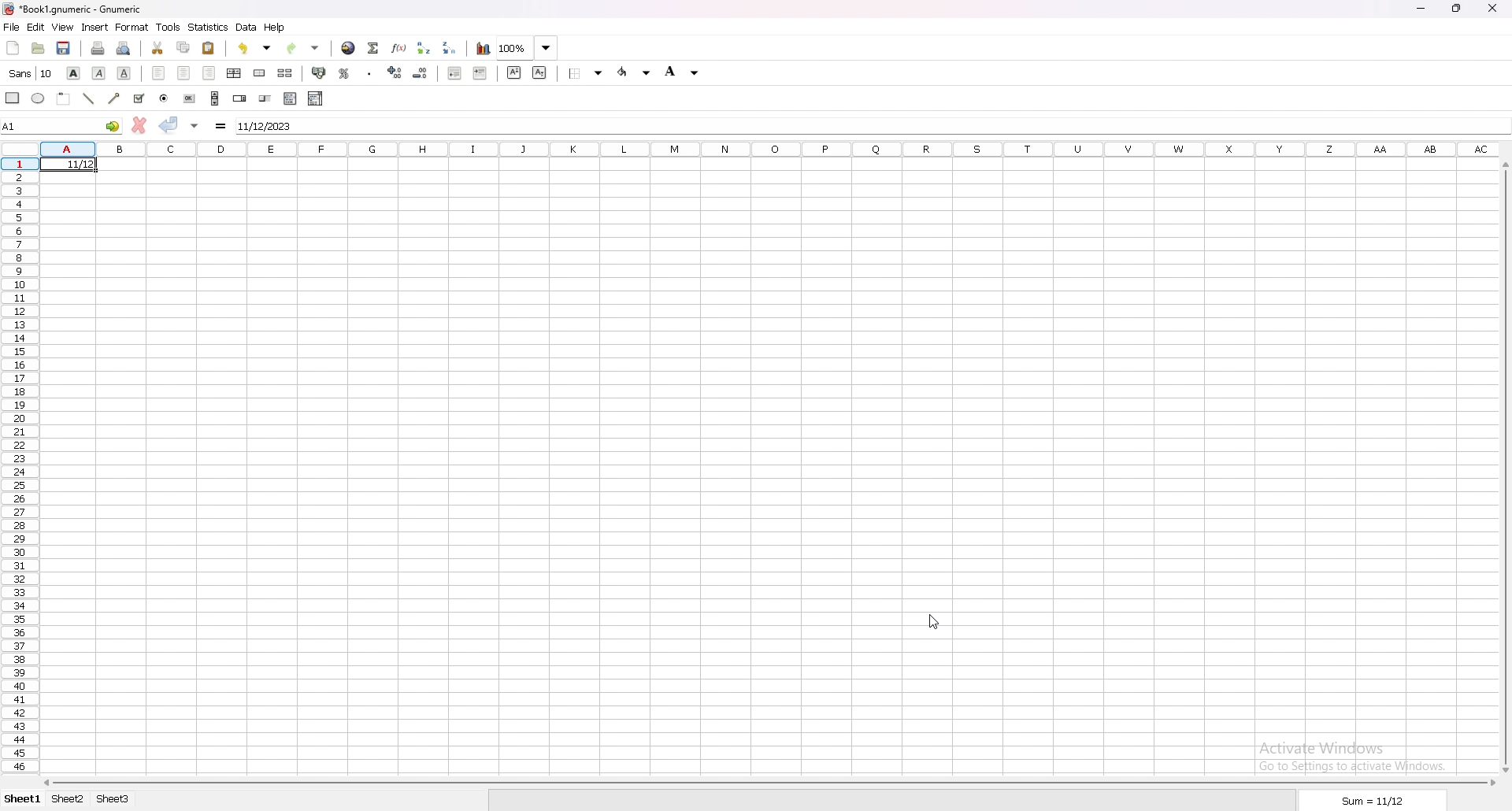 The height and width of the screenshot is (811, 1512). I want to click on copy, so click(185, 46).